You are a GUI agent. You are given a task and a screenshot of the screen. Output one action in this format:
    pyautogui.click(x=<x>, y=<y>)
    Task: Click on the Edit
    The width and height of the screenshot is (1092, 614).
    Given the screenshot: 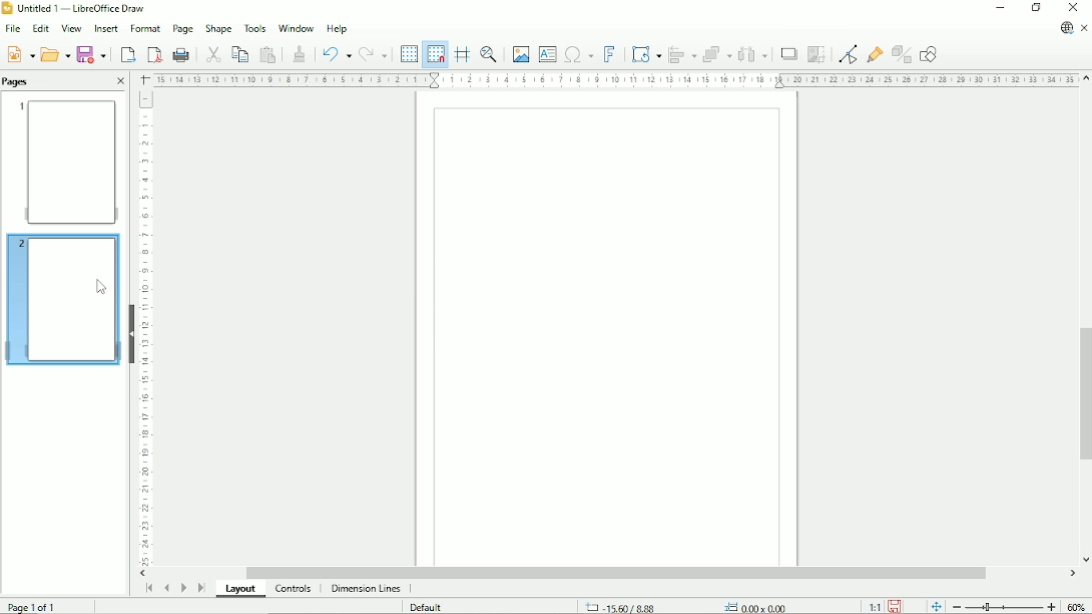 What is the action you would take?
    pyautogui.click(x=39, y=29)
    